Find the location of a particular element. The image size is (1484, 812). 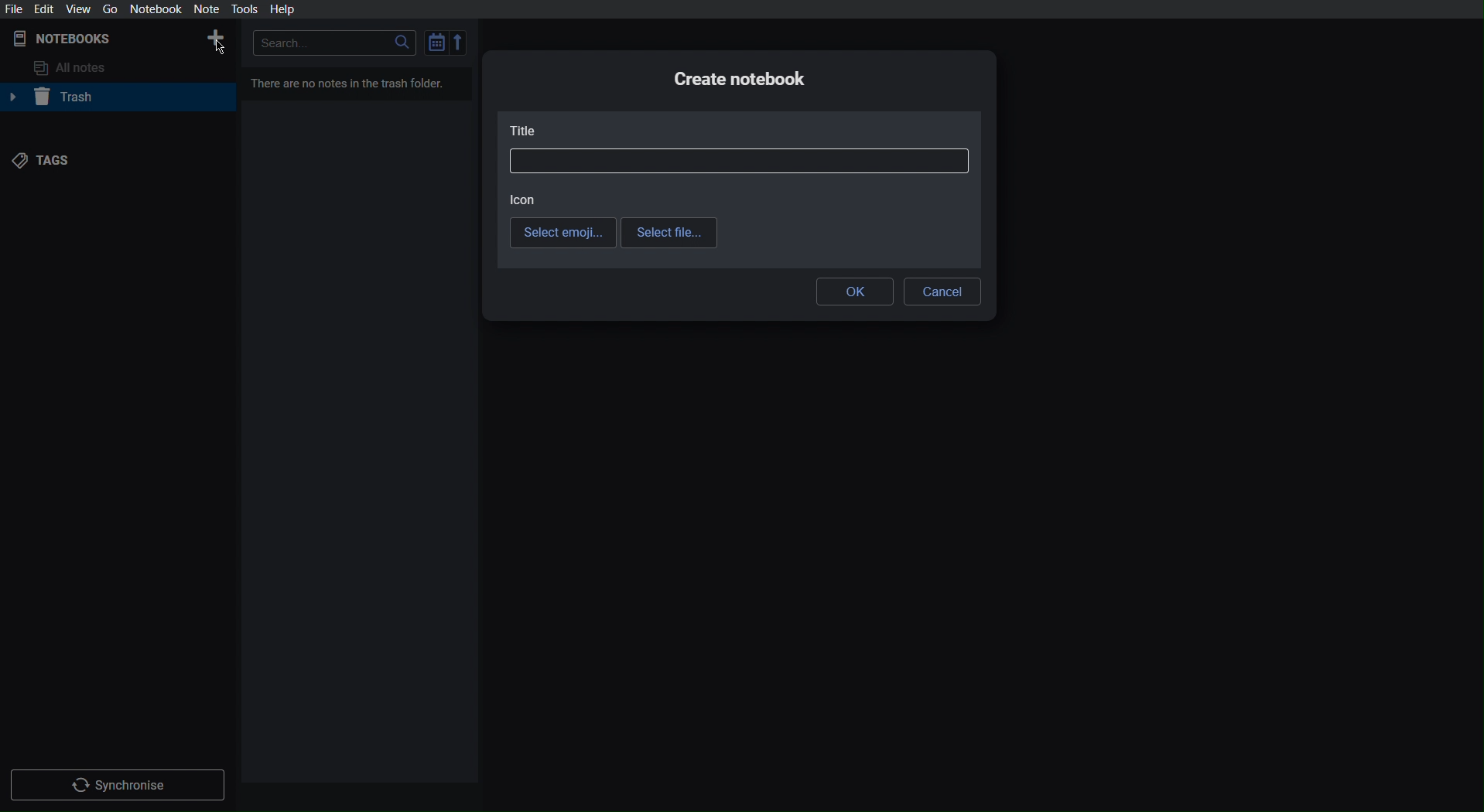

cursor is located at coordinates (222, 52).